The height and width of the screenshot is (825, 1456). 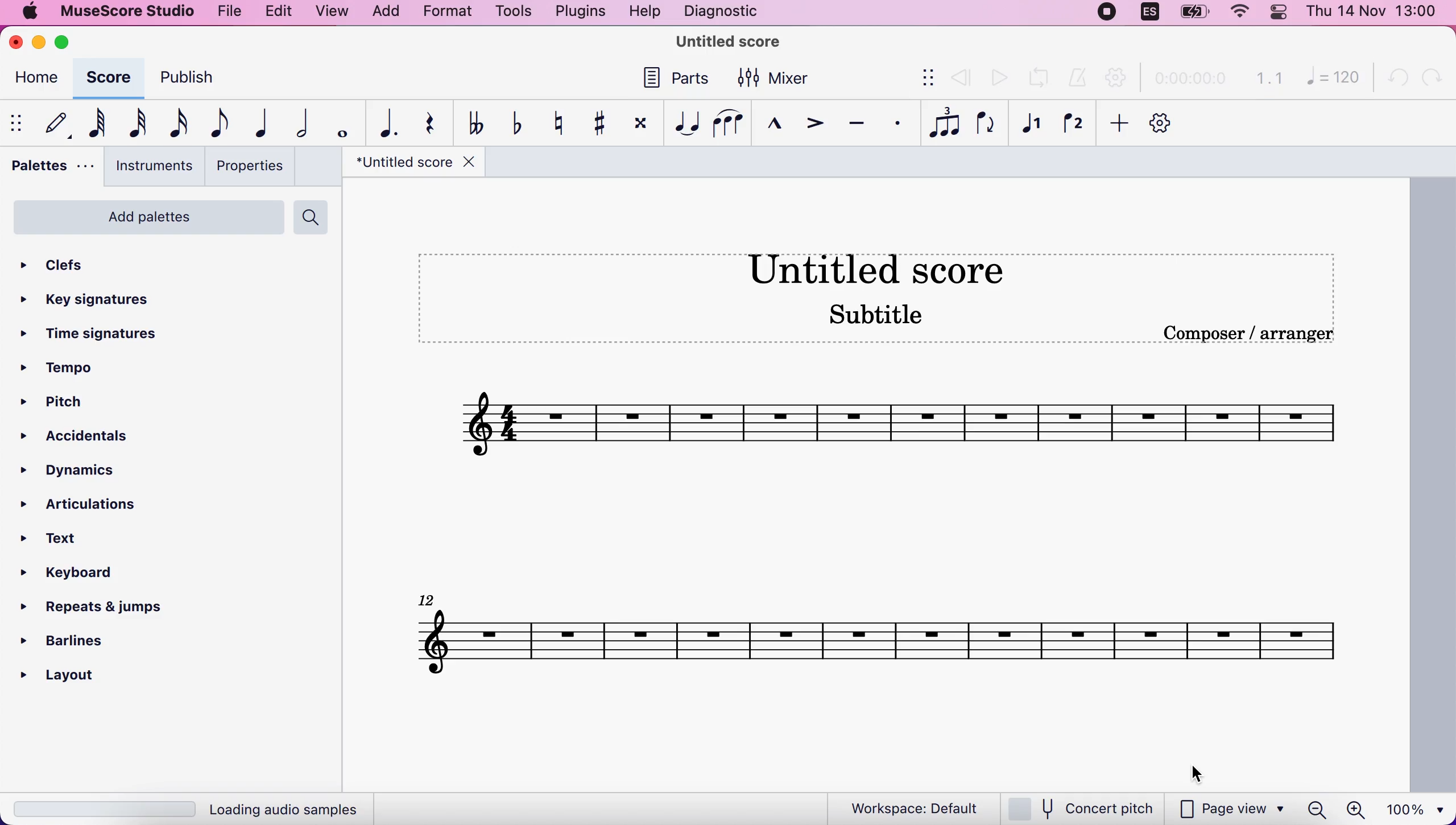 What do you see at coordinates (1116, 126) in the screenshot?
I see `add` at bounding box center [1116, 126].